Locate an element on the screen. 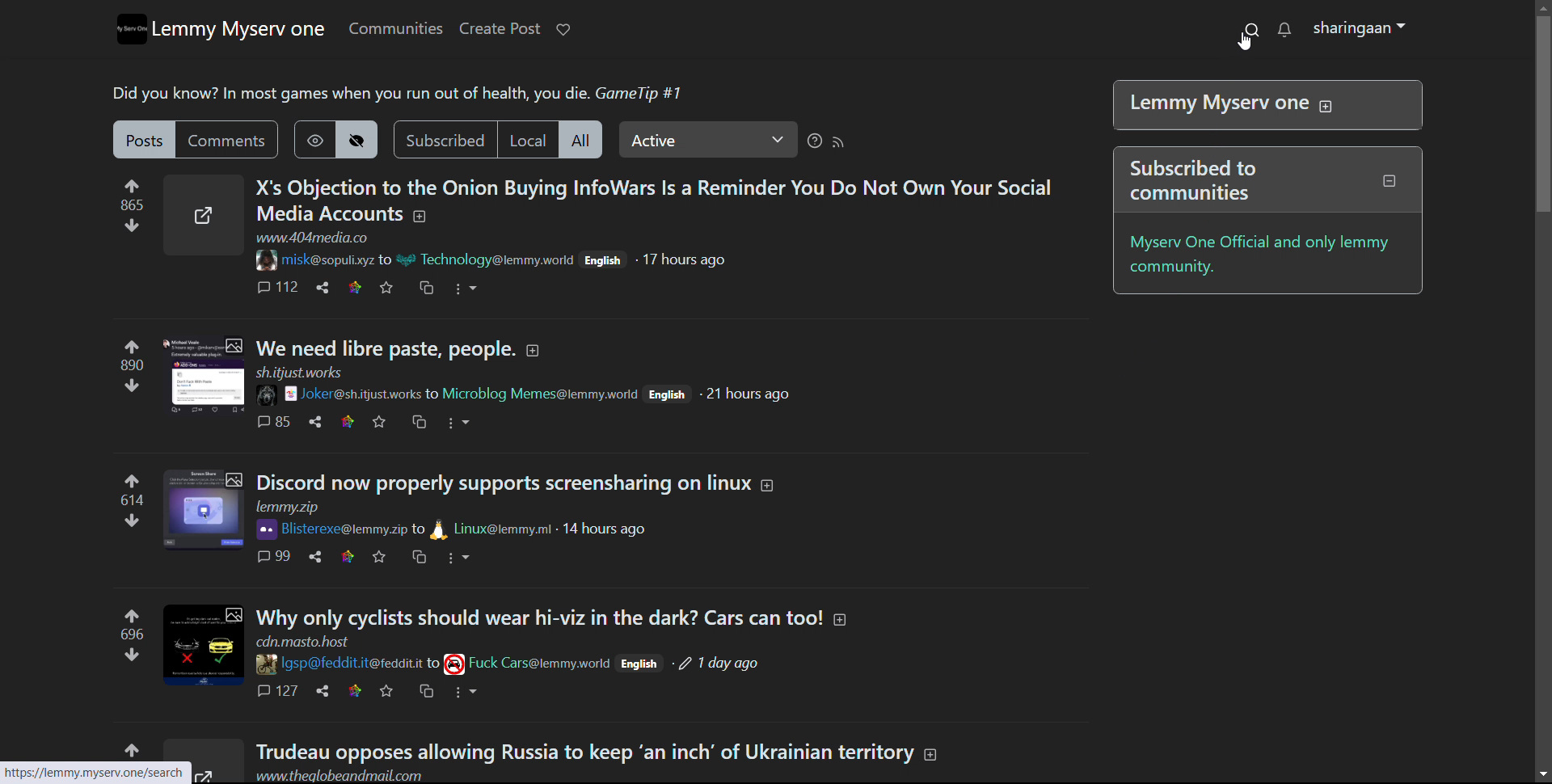  favorite is located at coordinates (380, 555).